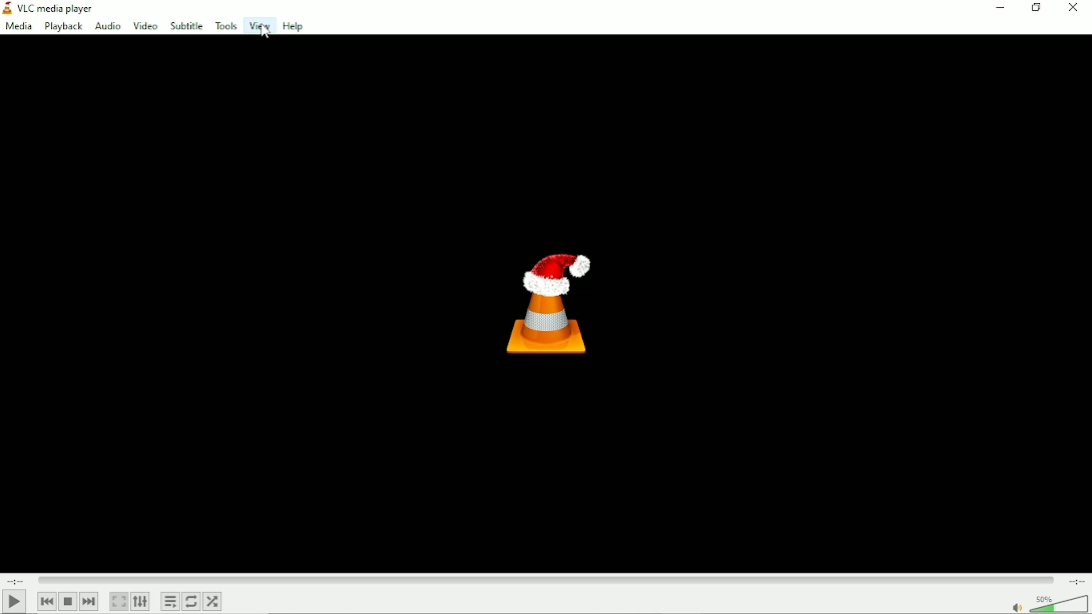 The height and width of the screenshot is (614, 1092). What do you see at coordinates (269, 36) in the screenshot?
I see `Cursor` at bounding box center [269, 36].